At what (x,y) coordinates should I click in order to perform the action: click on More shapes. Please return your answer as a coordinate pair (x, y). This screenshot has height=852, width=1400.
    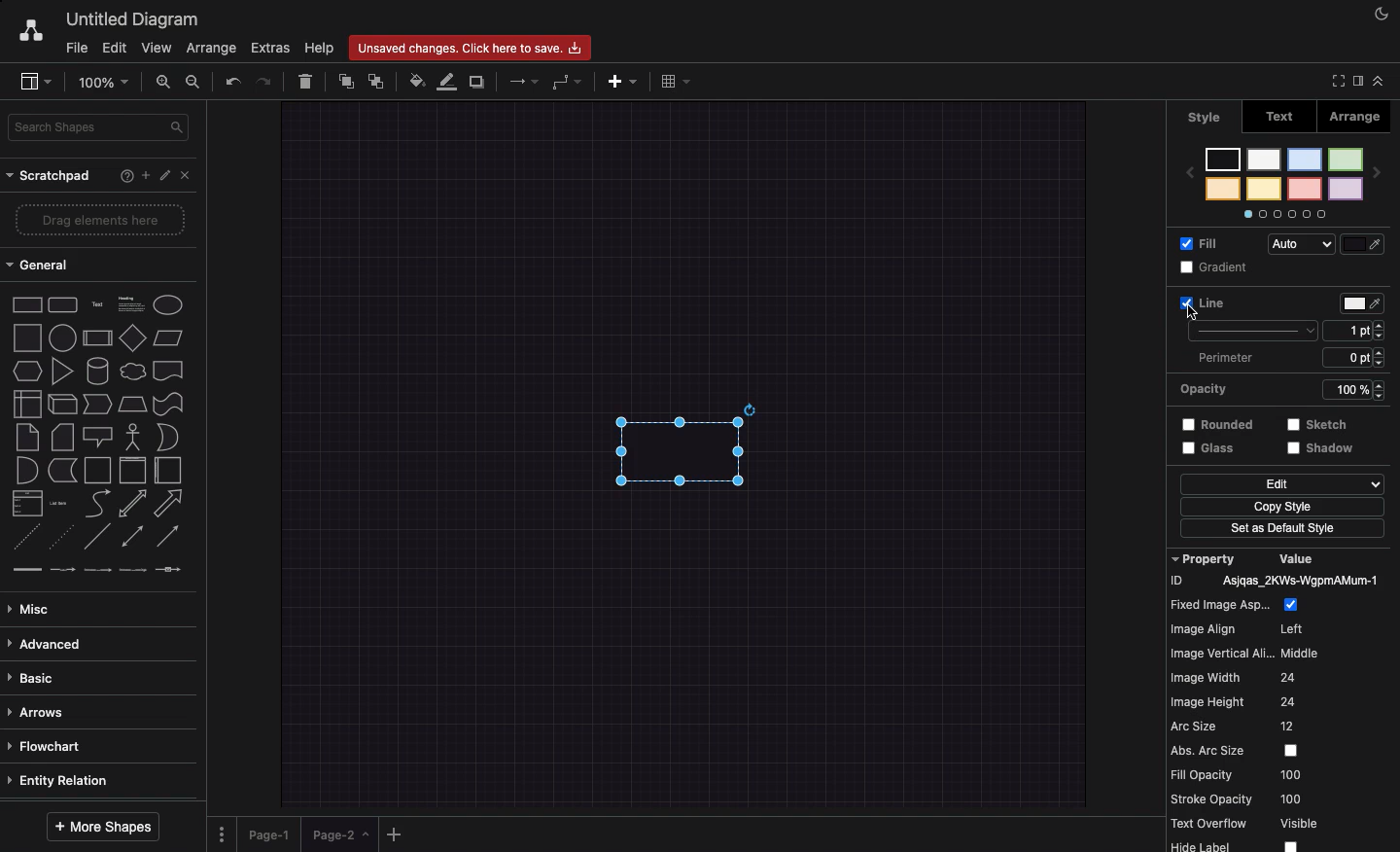
    Looking at the image, I should click on (105, 823).